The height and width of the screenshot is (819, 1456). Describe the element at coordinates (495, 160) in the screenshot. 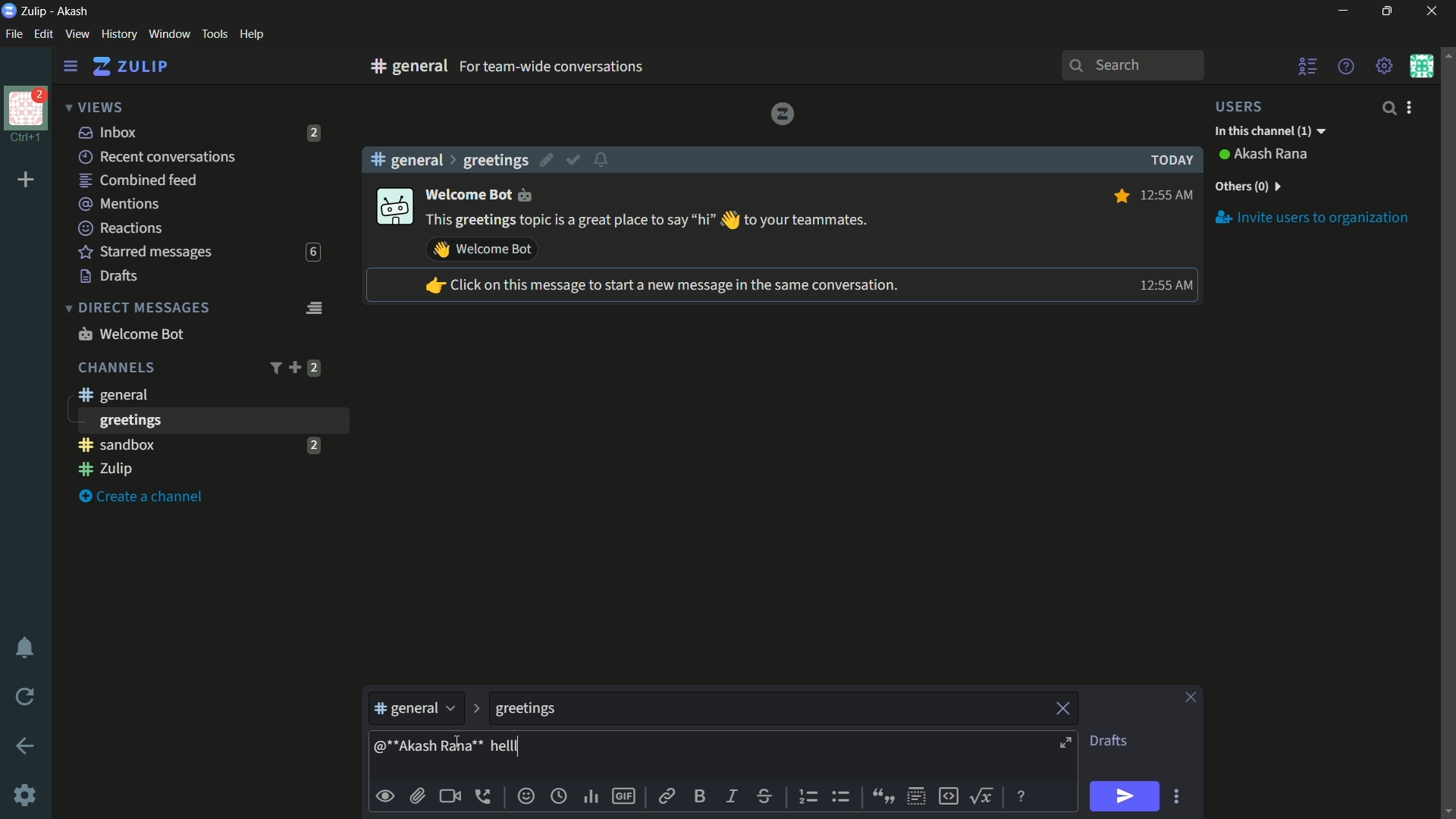

I see `greetings` at that location.